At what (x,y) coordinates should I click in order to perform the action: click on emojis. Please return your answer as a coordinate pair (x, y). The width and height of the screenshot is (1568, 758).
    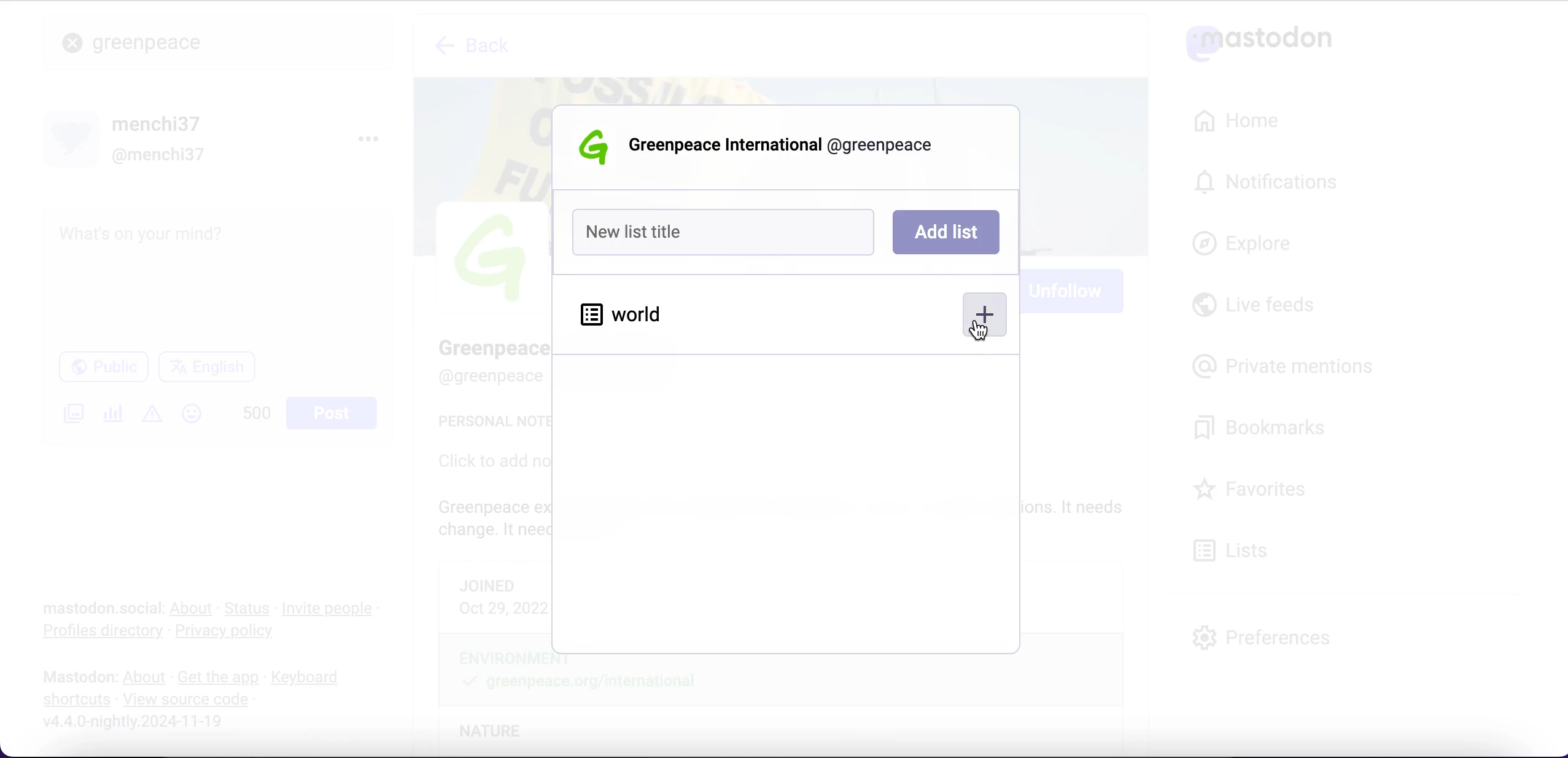
    Looking at the image, I should click on (197, 420).